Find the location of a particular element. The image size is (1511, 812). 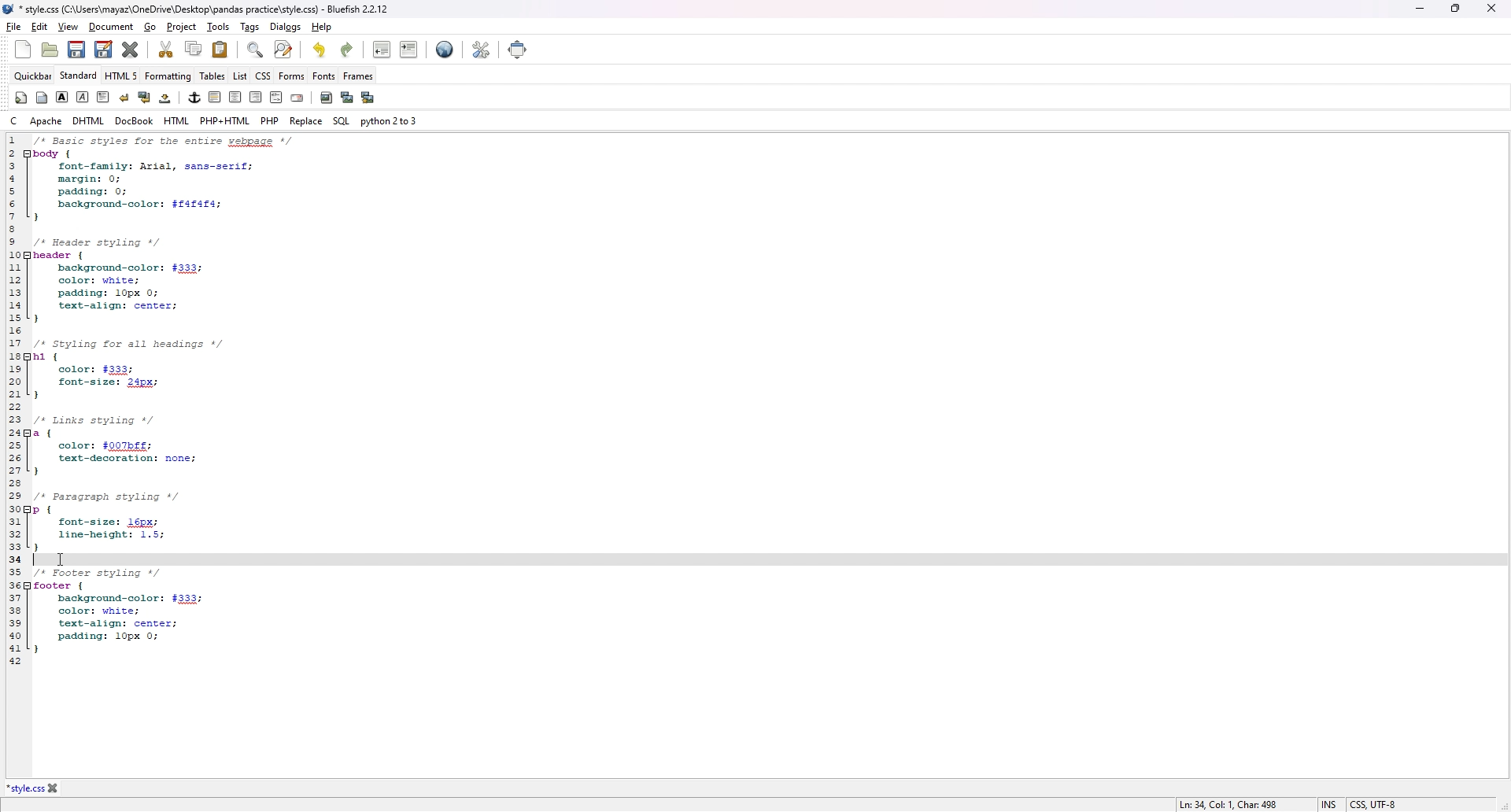

project is located at coordinates (183, 26).